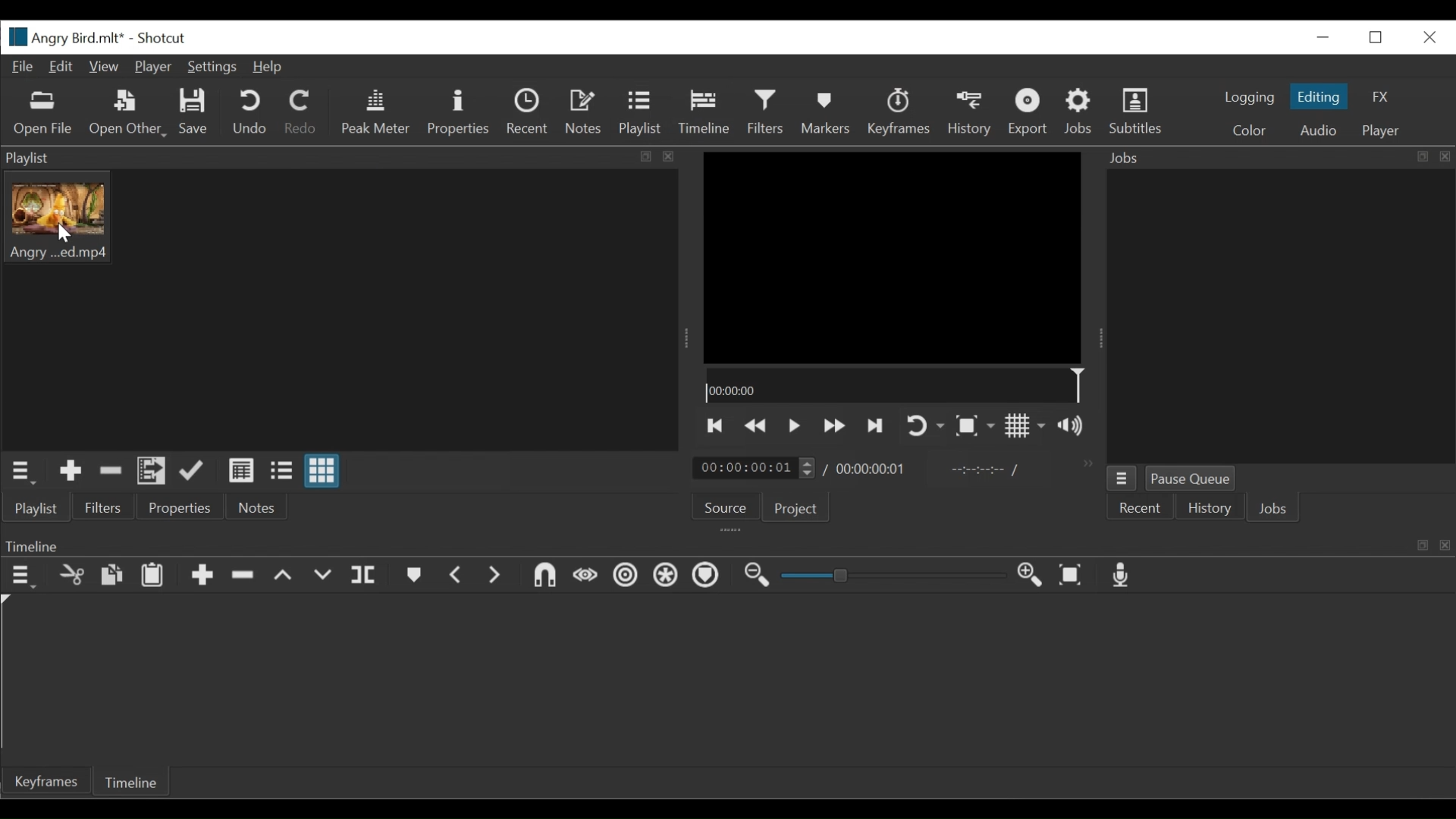  Describe the element at coordinates (152, 67) in the screenshot. I see `Player` at that location.